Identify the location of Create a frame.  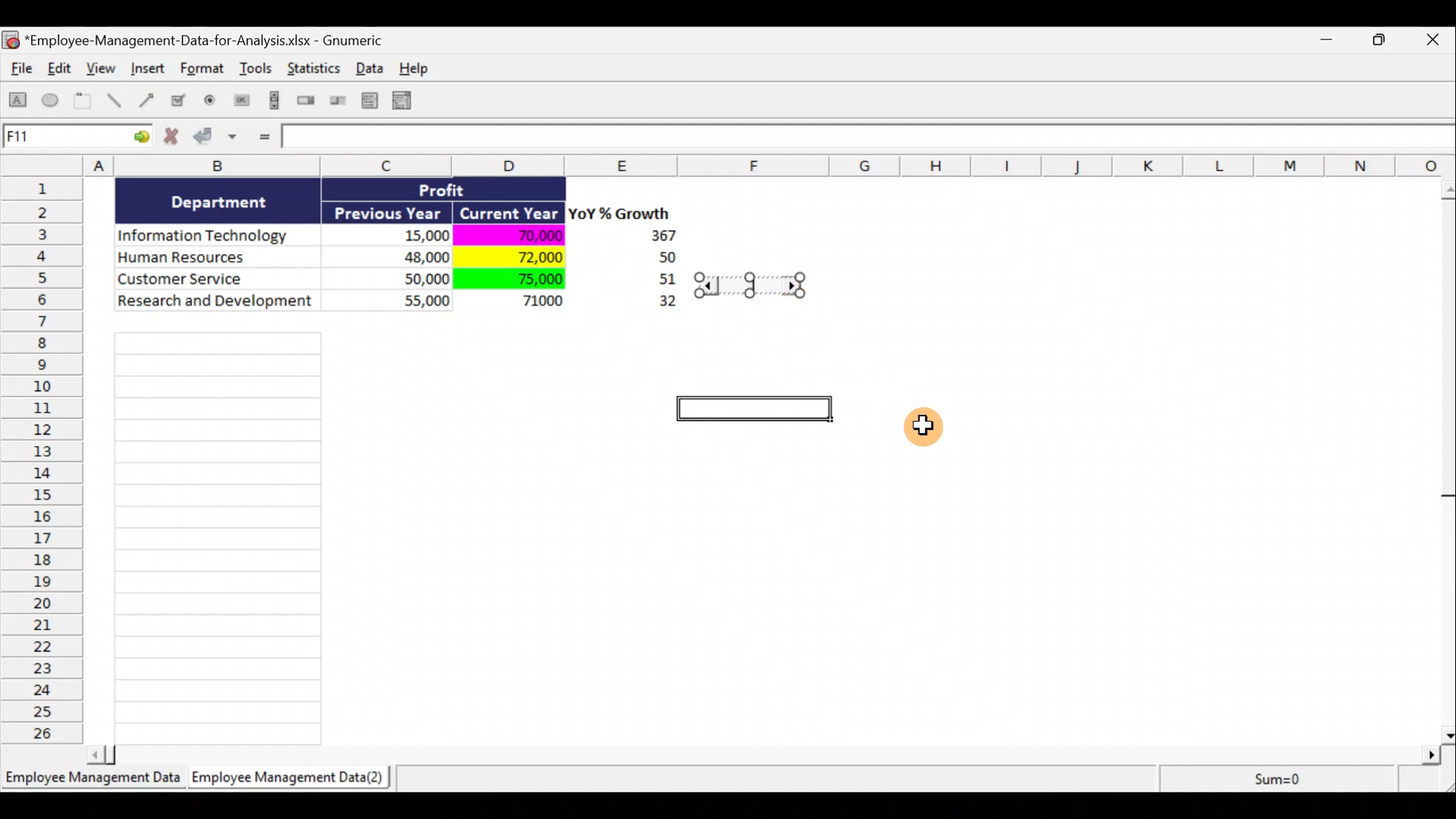
(83, 102).